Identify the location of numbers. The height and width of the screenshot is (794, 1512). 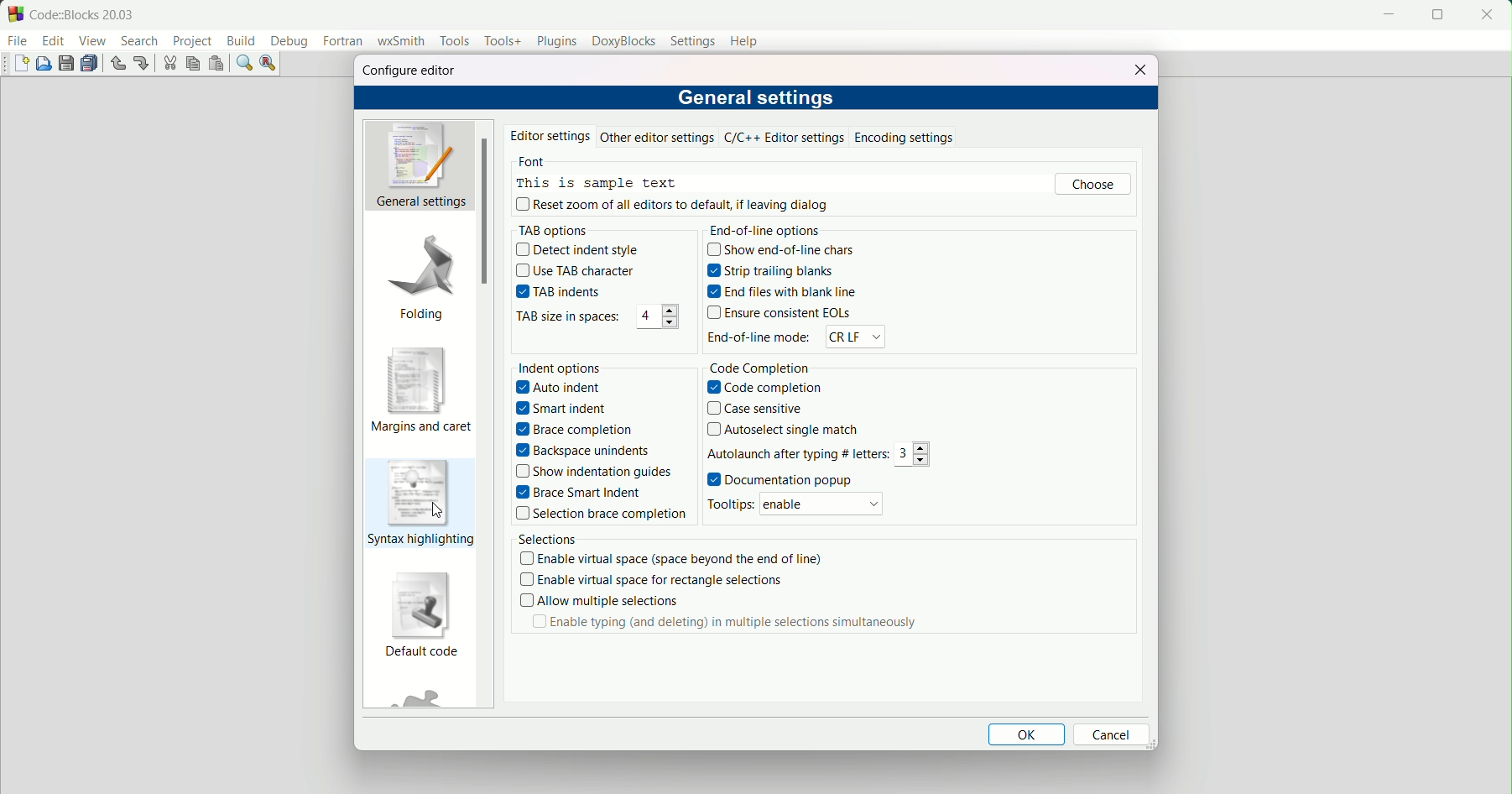
(915, 454).